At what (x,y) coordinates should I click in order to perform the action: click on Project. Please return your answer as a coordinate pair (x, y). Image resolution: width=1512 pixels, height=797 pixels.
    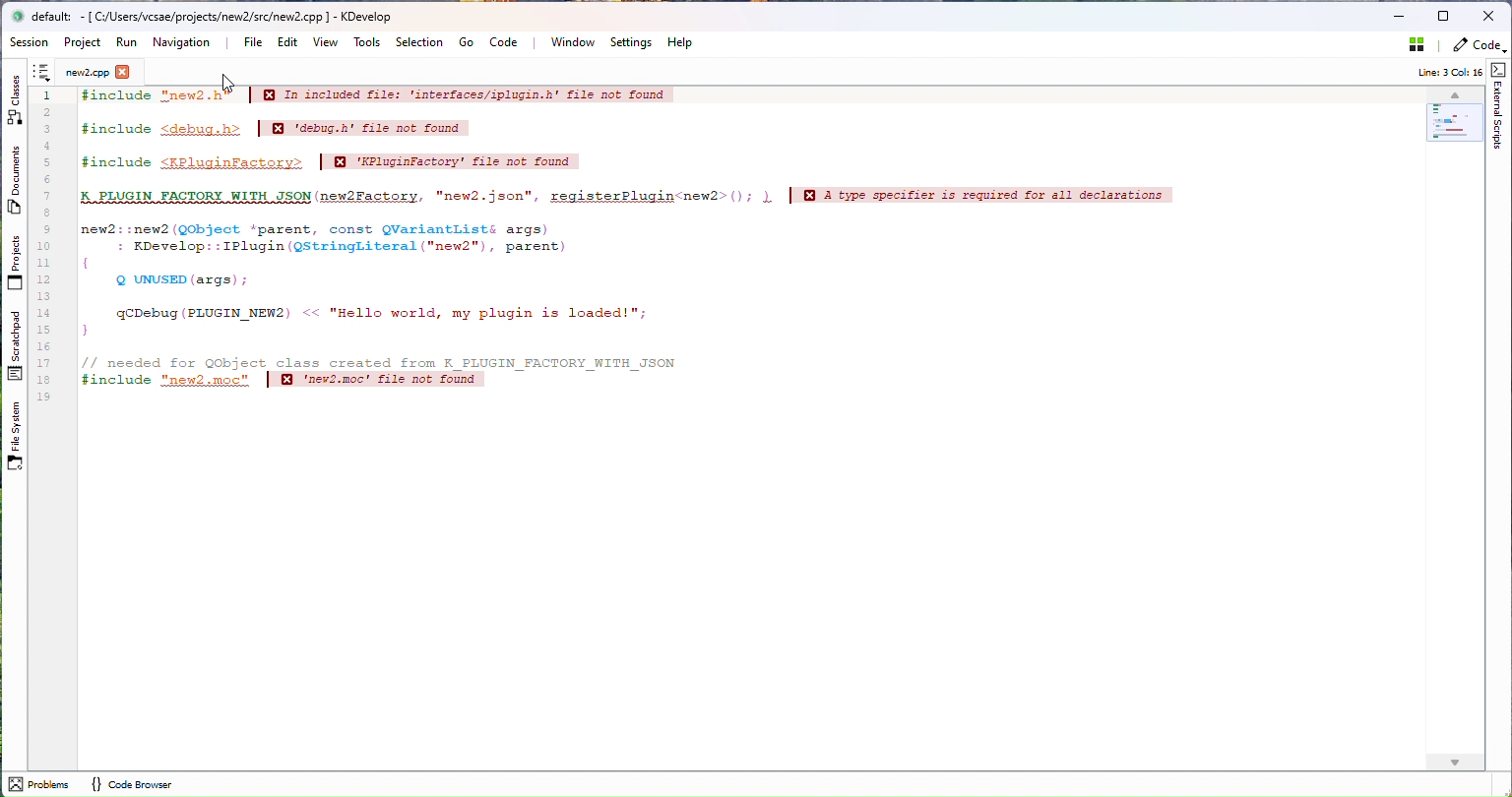
    Looking at the image, I should click on (83, 44).